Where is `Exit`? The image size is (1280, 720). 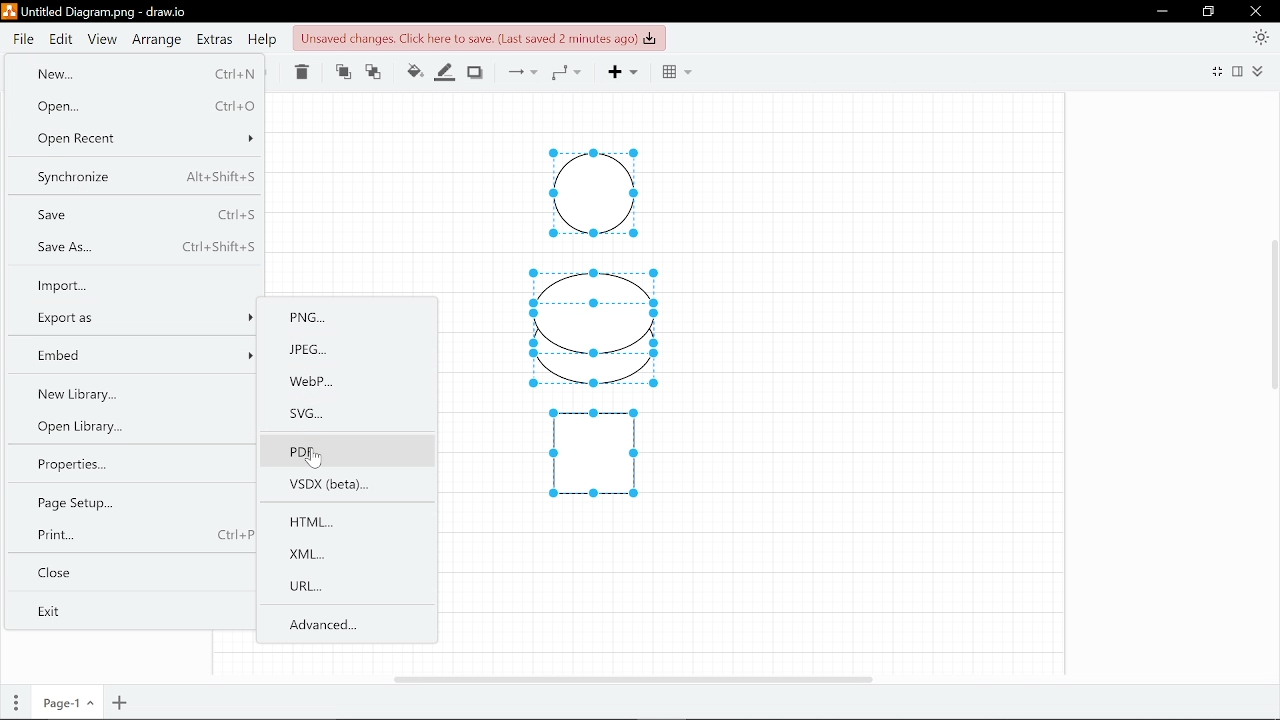
Exit is located at coordinates (134, 608).